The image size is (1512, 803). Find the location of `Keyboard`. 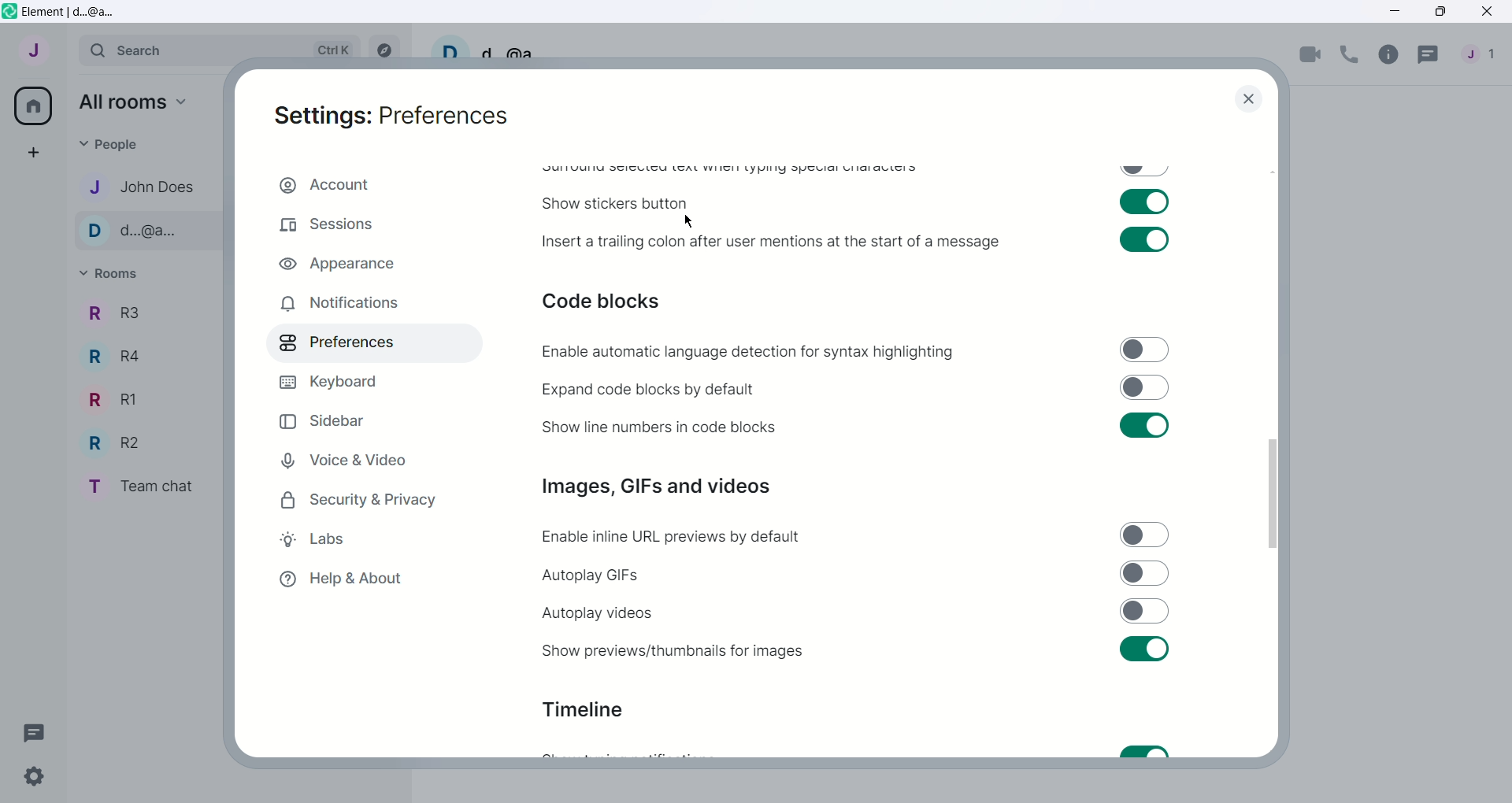

Keyboard is located at coordinates (351, 382).